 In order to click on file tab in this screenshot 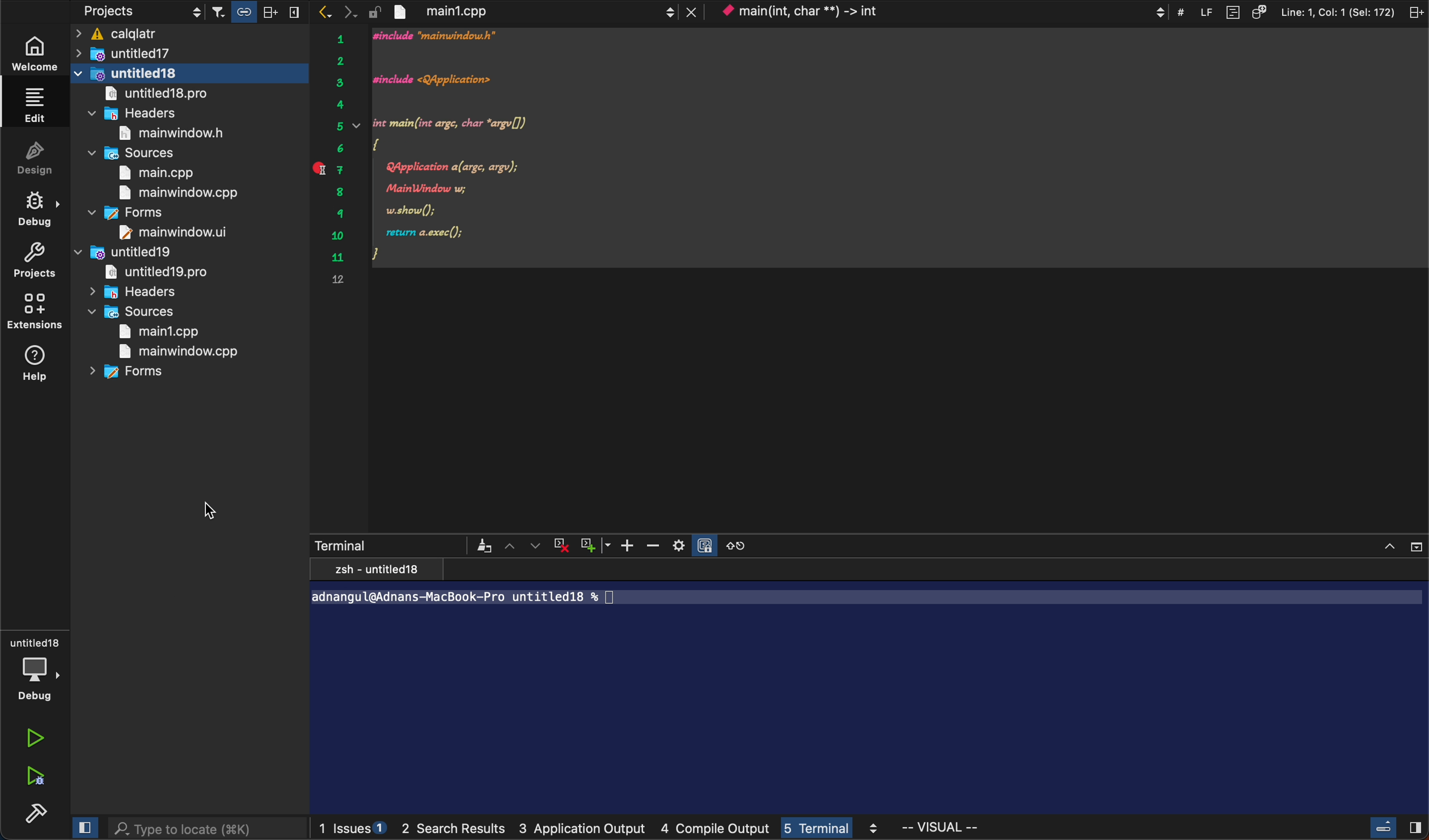, I will do `click(523, 12)`.